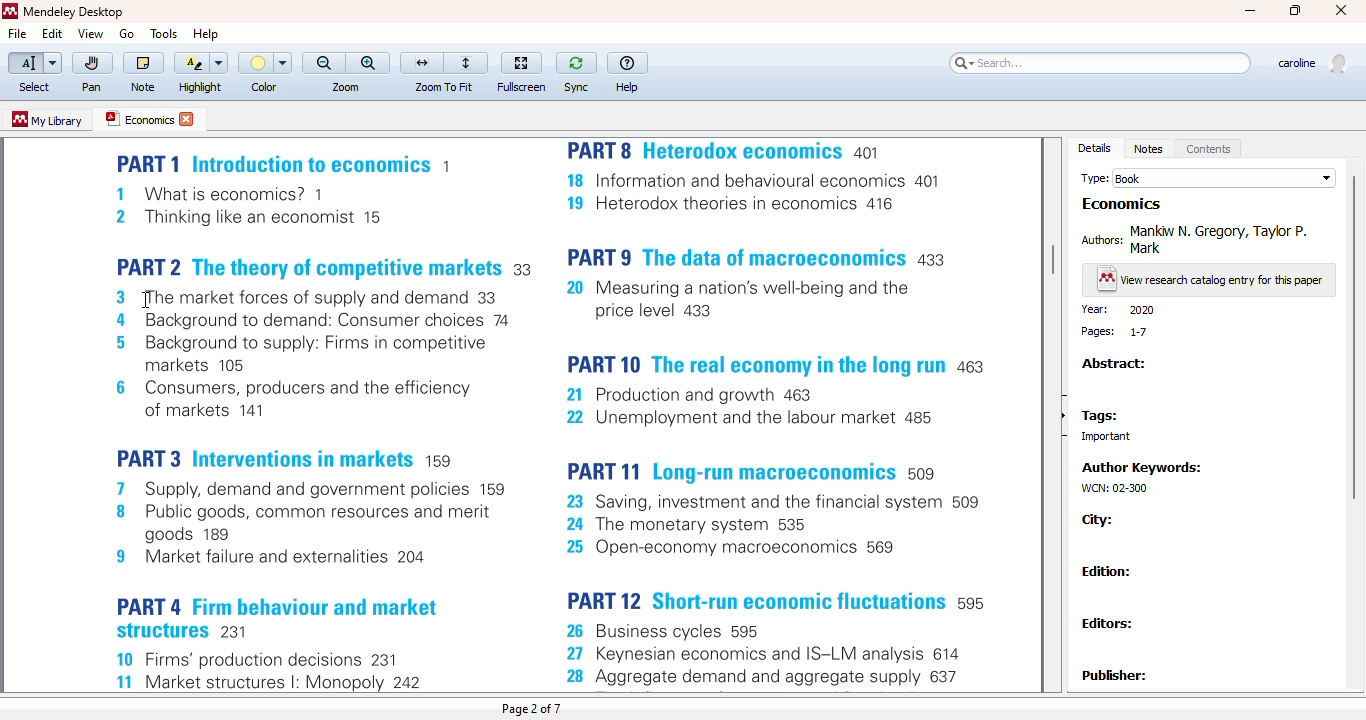 Image resolution: width=1366 pixels, height=720 pixels. What do you see at coordinates (1351, 337) in the screenshot?
I see `vertical scroll bar` at bounding box center [1351, 337].